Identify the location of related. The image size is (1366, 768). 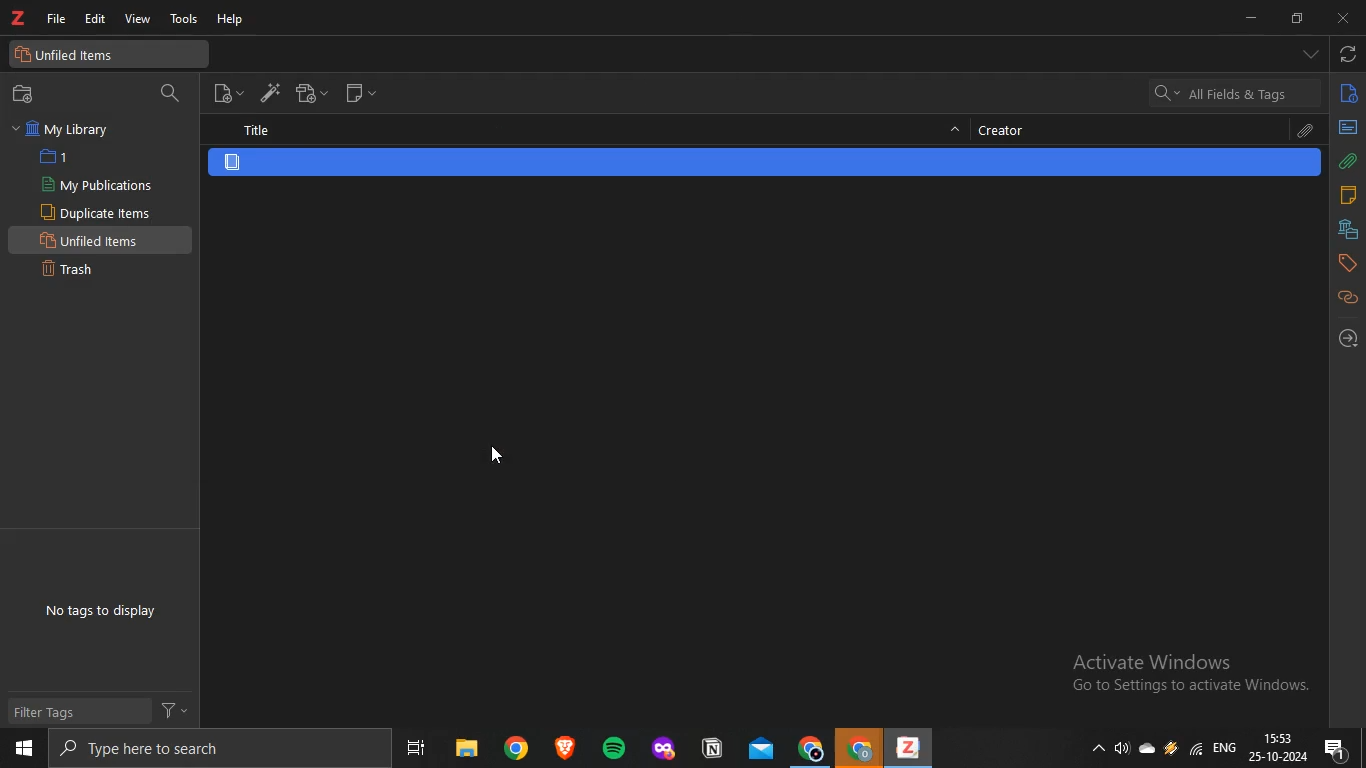
(1347, 298).